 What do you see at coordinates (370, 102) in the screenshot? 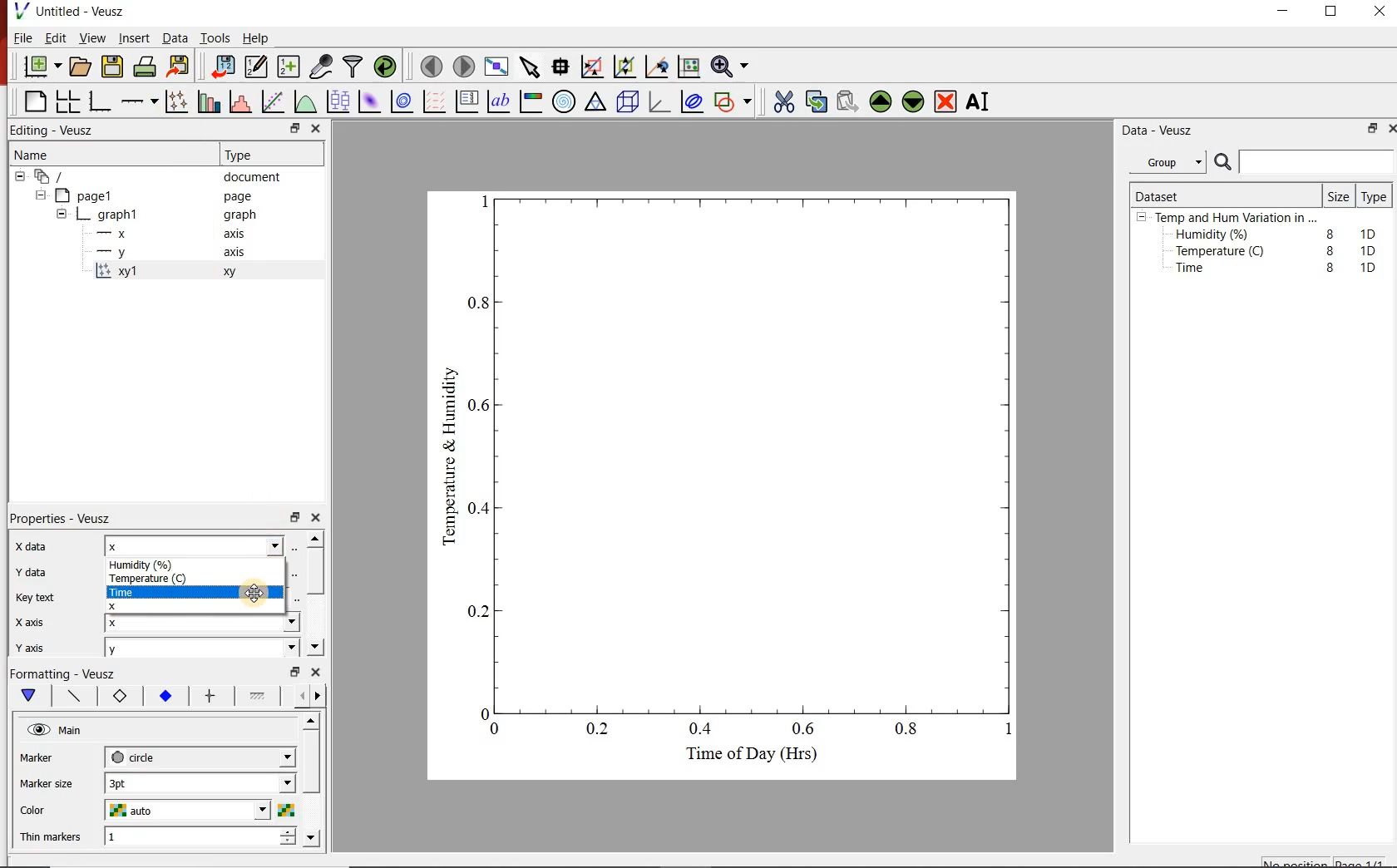
I see `plot a 2d dataset as an image` at bounding box center [370, 102].